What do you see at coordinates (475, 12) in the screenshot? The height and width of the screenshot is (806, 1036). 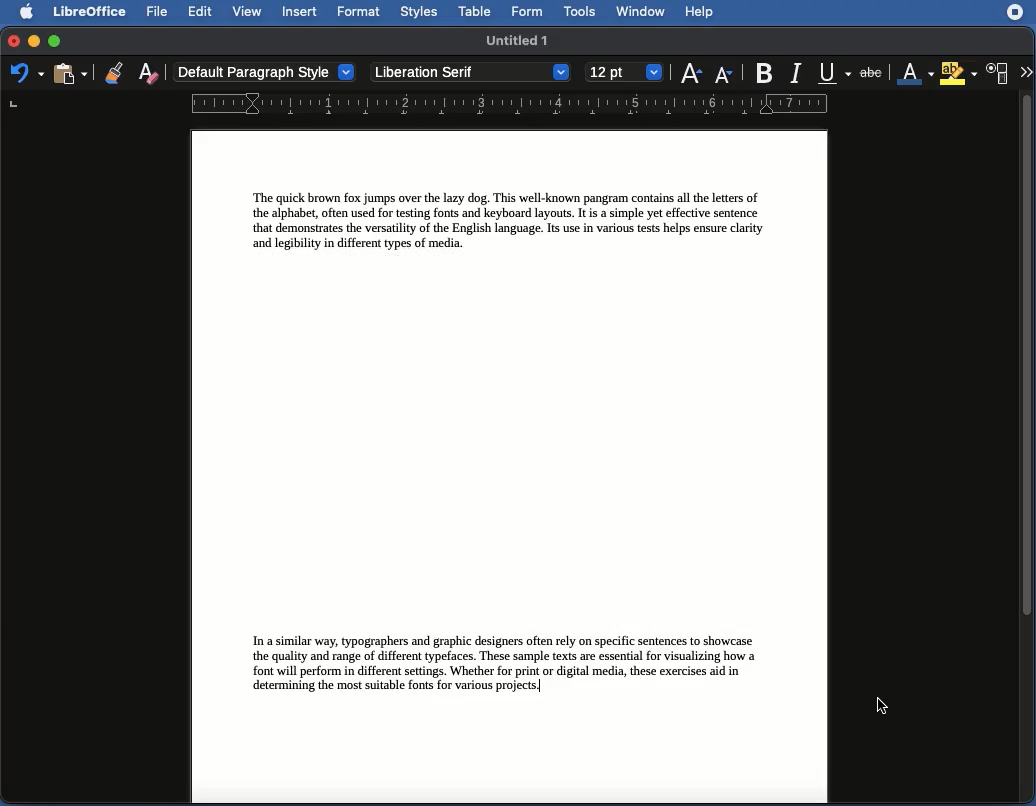 I see `Table` at bounding box center [475, 12].